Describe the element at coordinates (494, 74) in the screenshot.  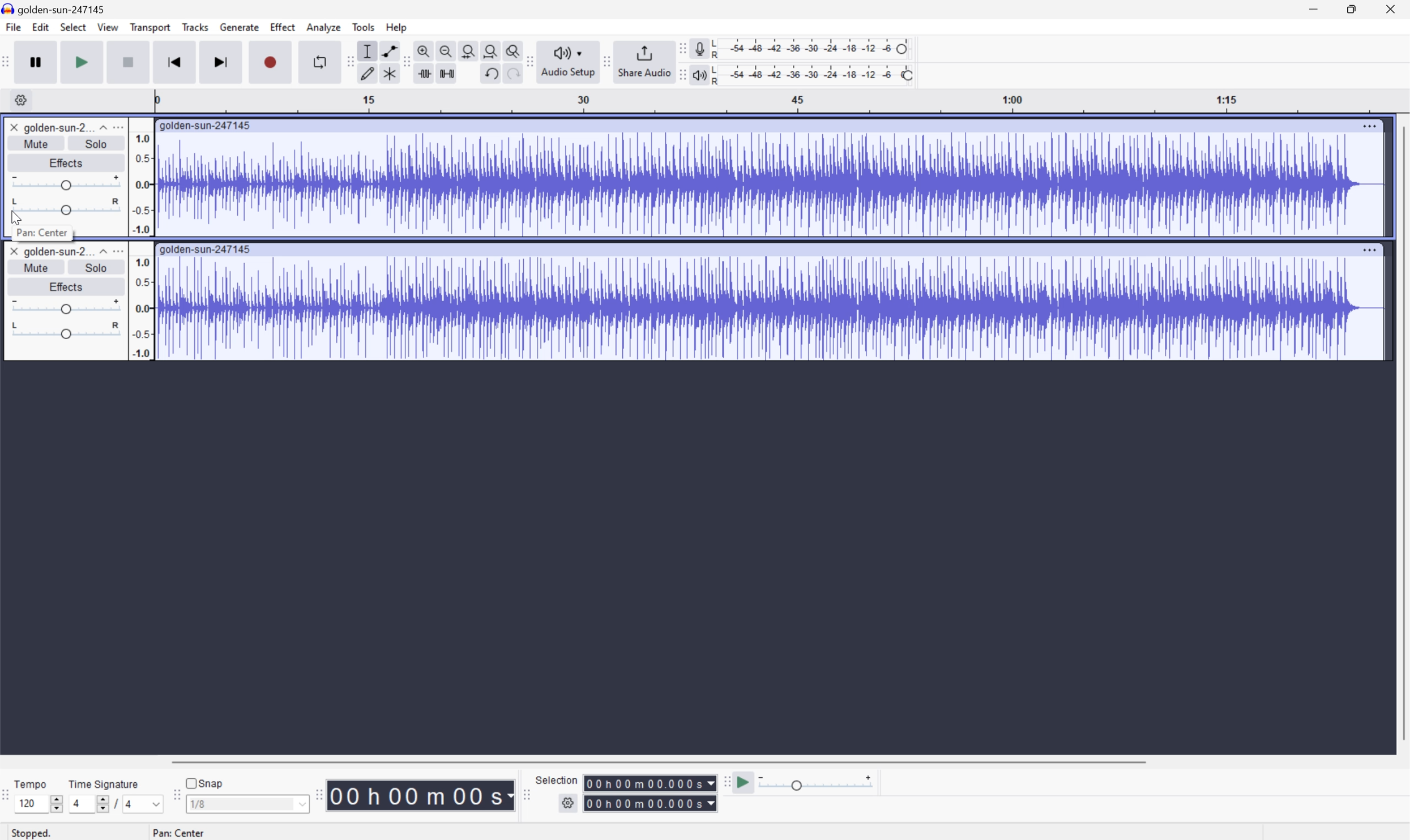
I see `Undo` at that location.